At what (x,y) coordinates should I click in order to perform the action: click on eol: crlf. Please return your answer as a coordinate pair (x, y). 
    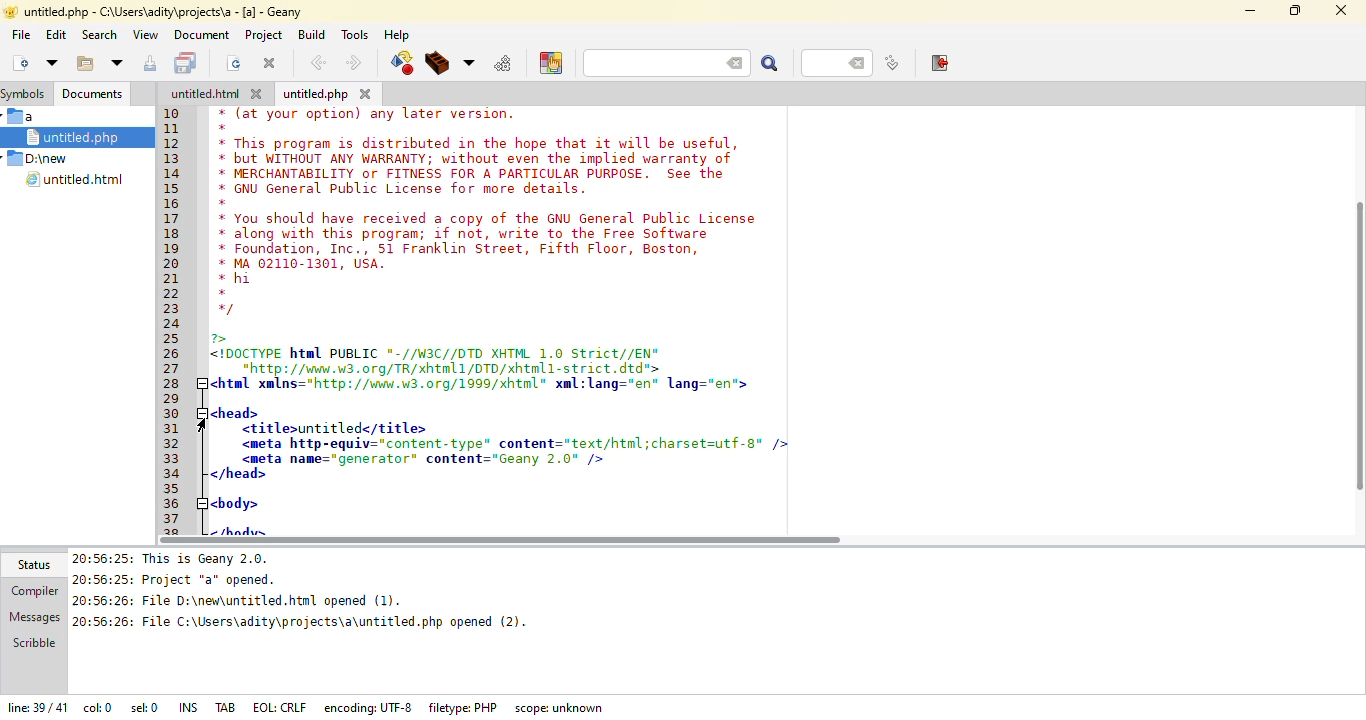
    Looking at the image, I should click on (279, 706).